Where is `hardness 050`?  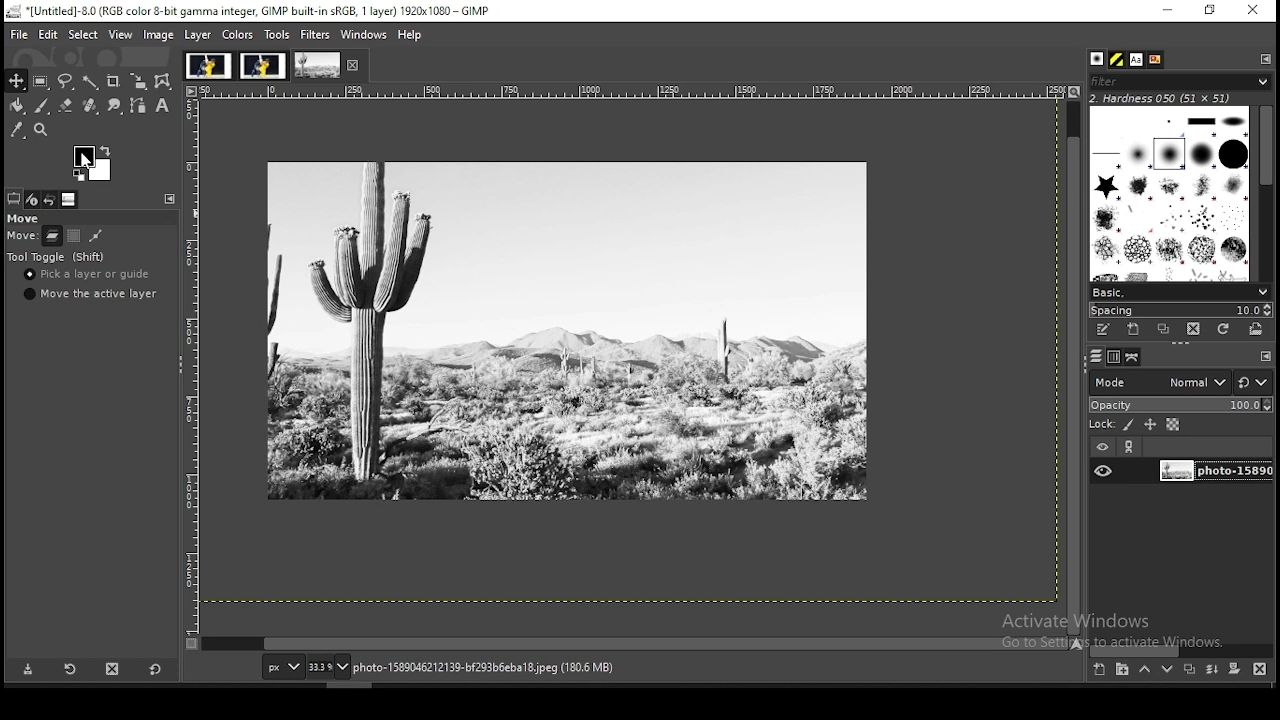 hardness 050 is located at coordinates (1185, 98).